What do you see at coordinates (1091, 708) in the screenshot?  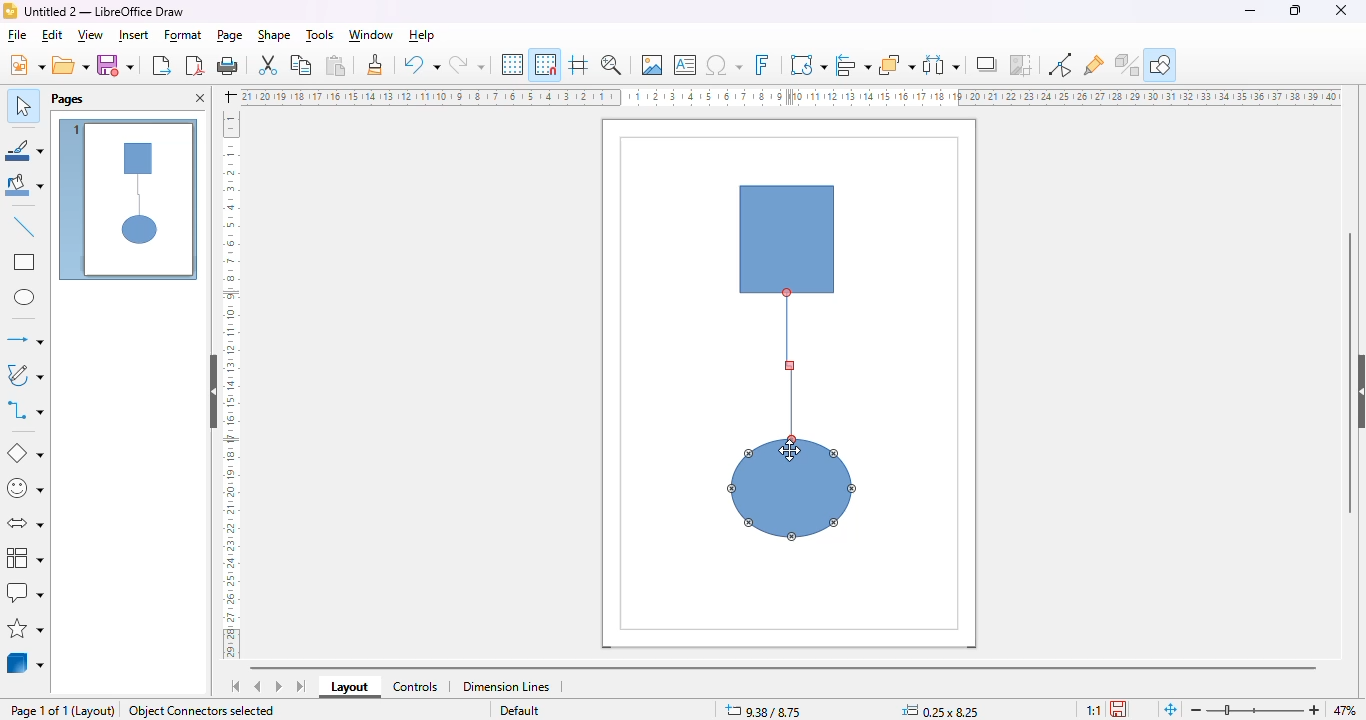 I see `scaling factor of the document` at bounding box center [1091, 708].